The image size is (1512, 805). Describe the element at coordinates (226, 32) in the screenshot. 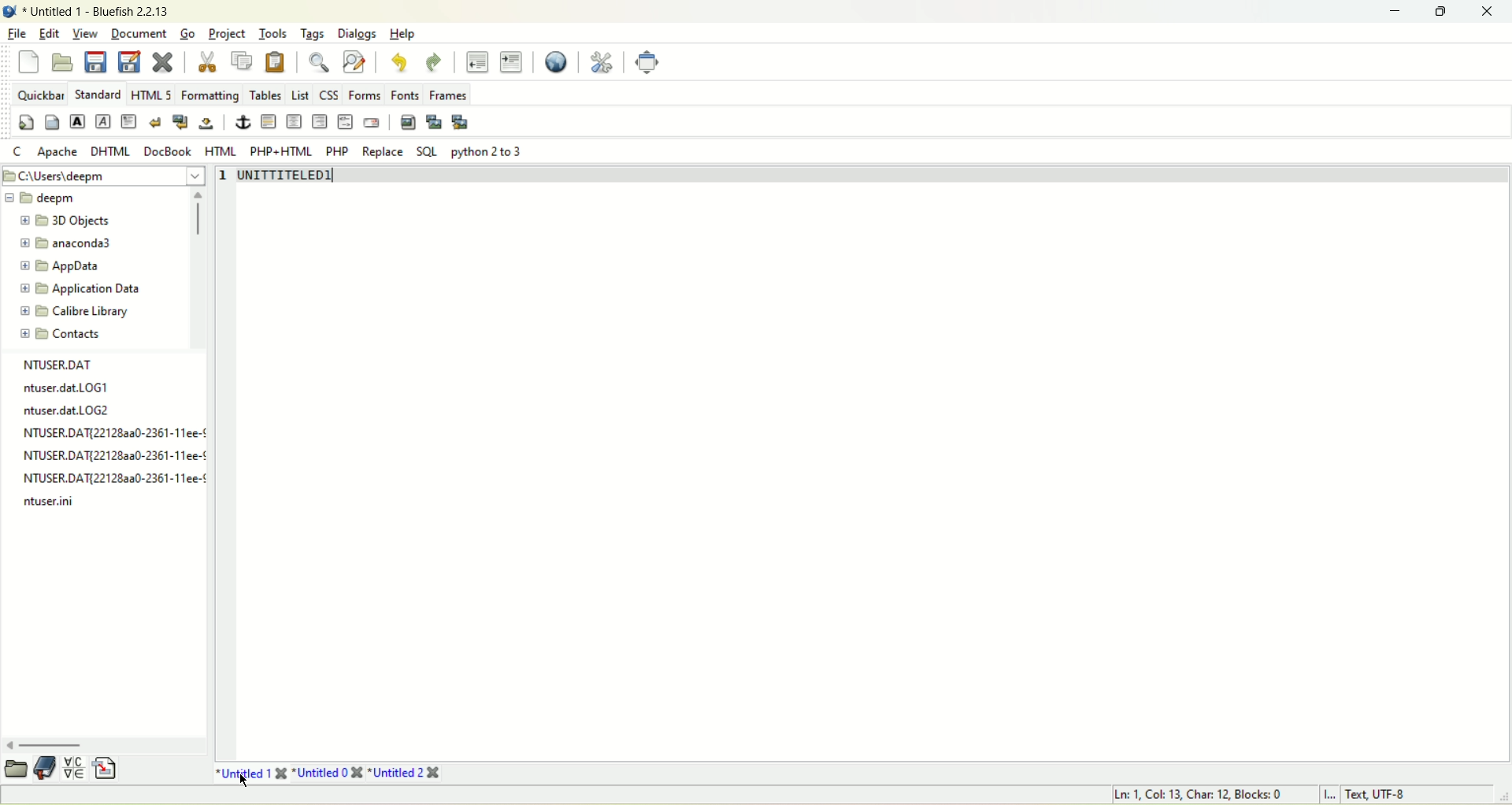

I see `Project` at that location.